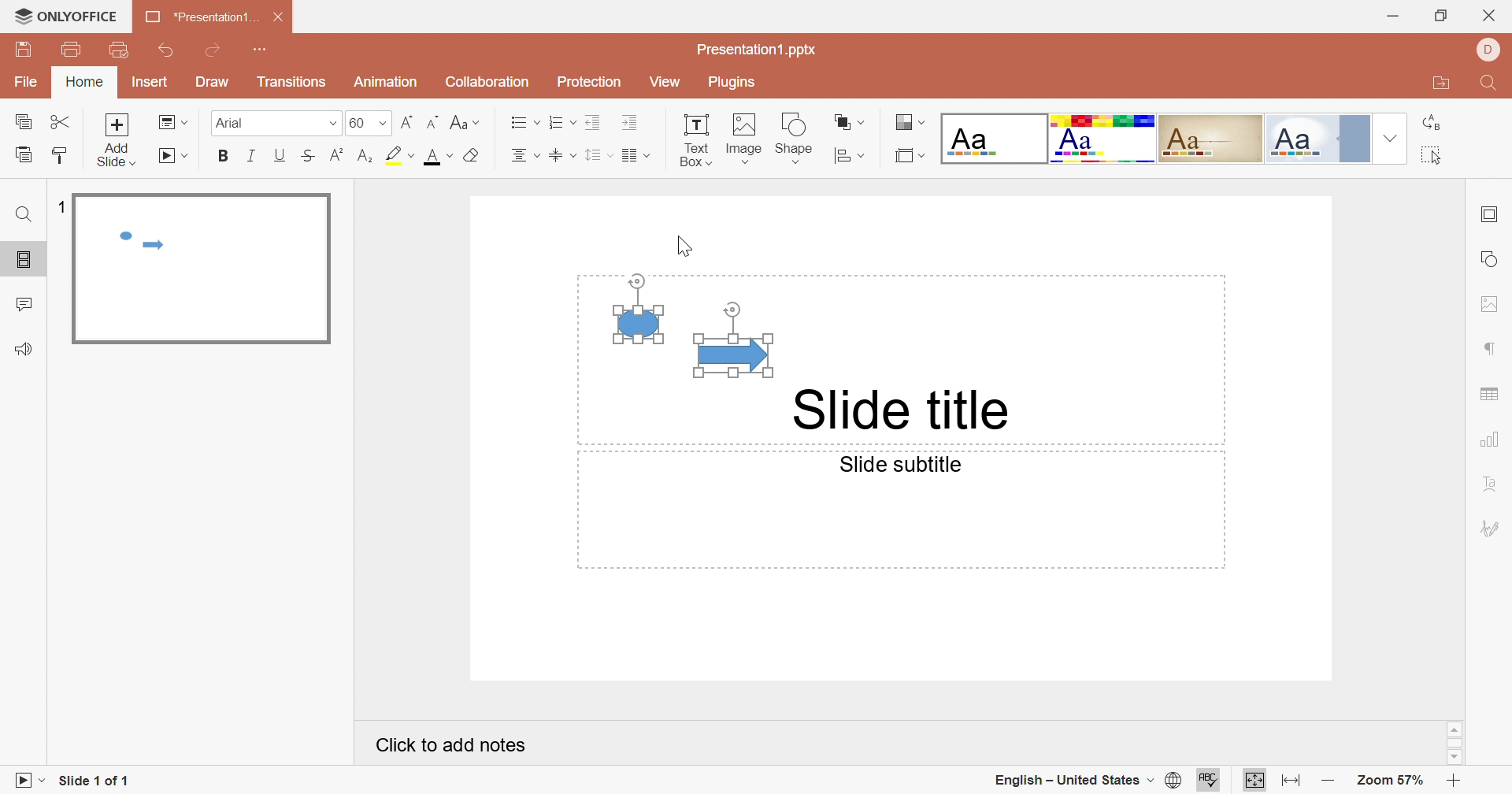  I want to click on Draw, so click(218, 83).